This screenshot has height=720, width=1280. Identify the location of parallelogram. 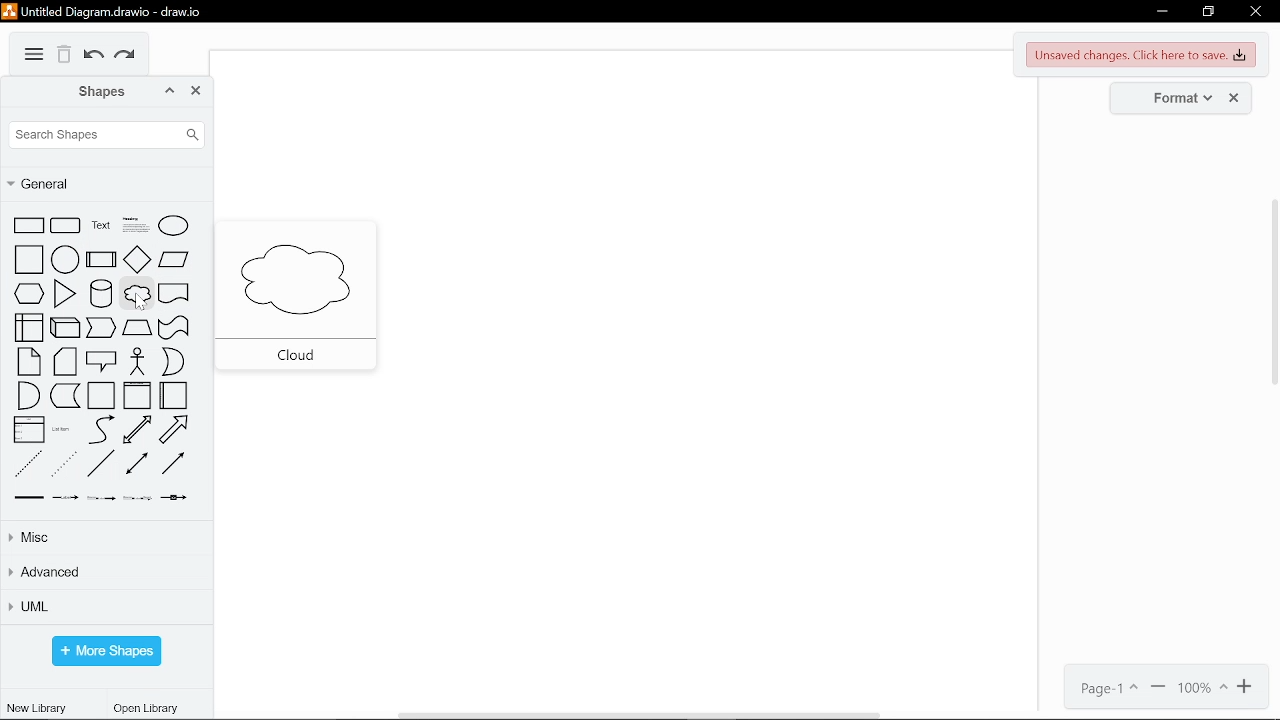
(173, 263).